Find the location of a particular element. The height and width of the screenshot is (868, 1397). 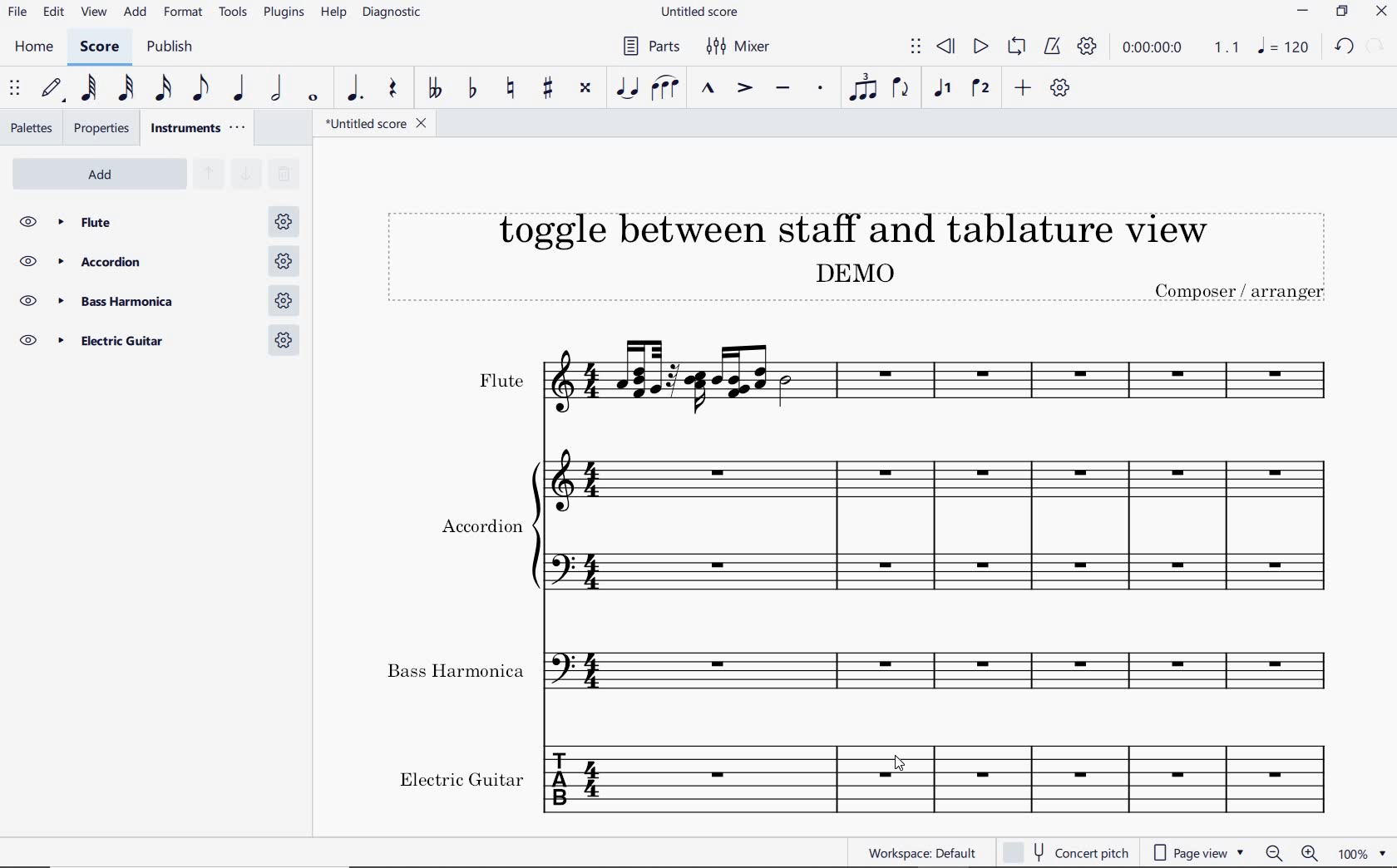

add is located at coordinates (133, 13).